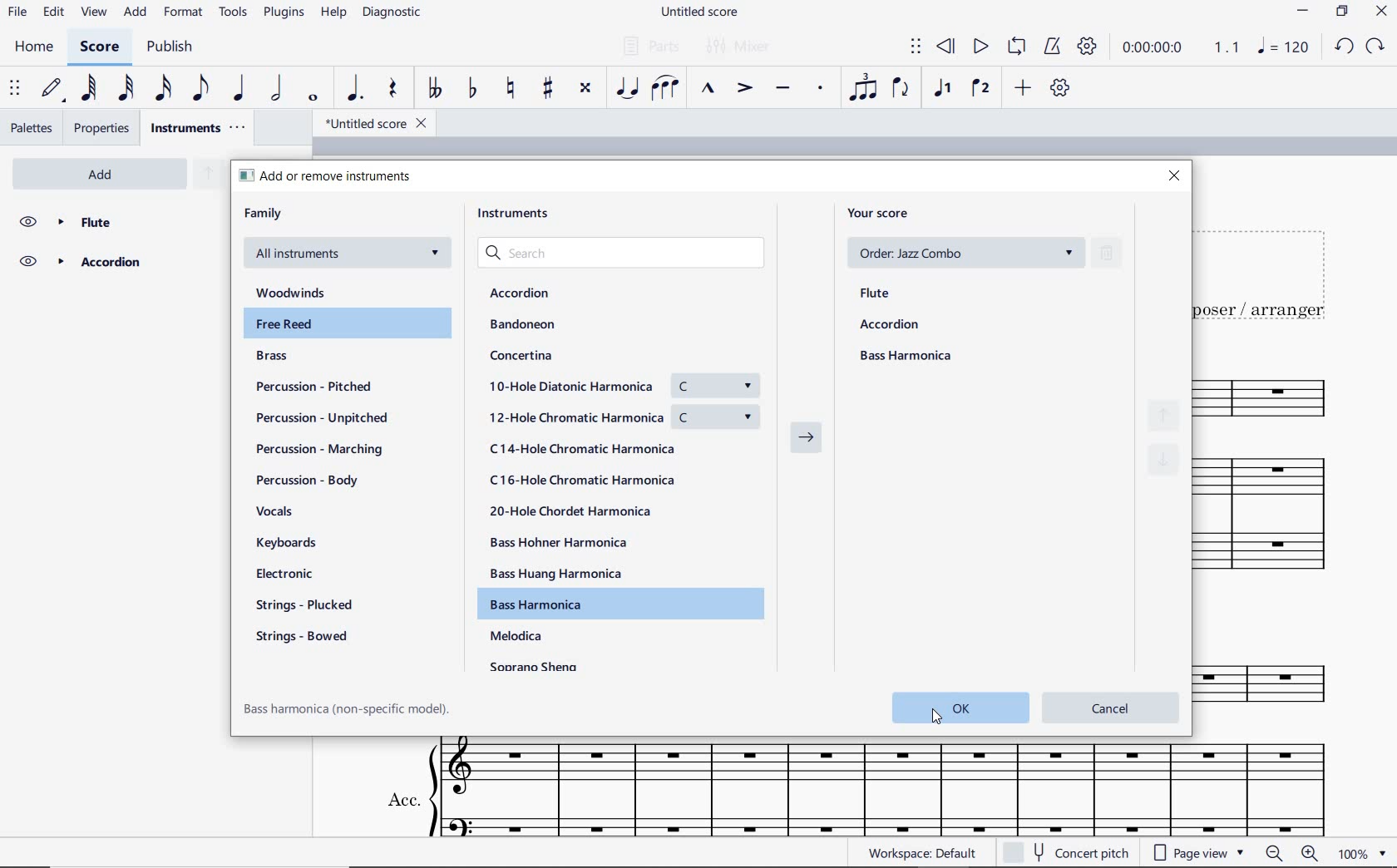 The image size is (1397, 868). I want to click on select to move, so click(916, 47).